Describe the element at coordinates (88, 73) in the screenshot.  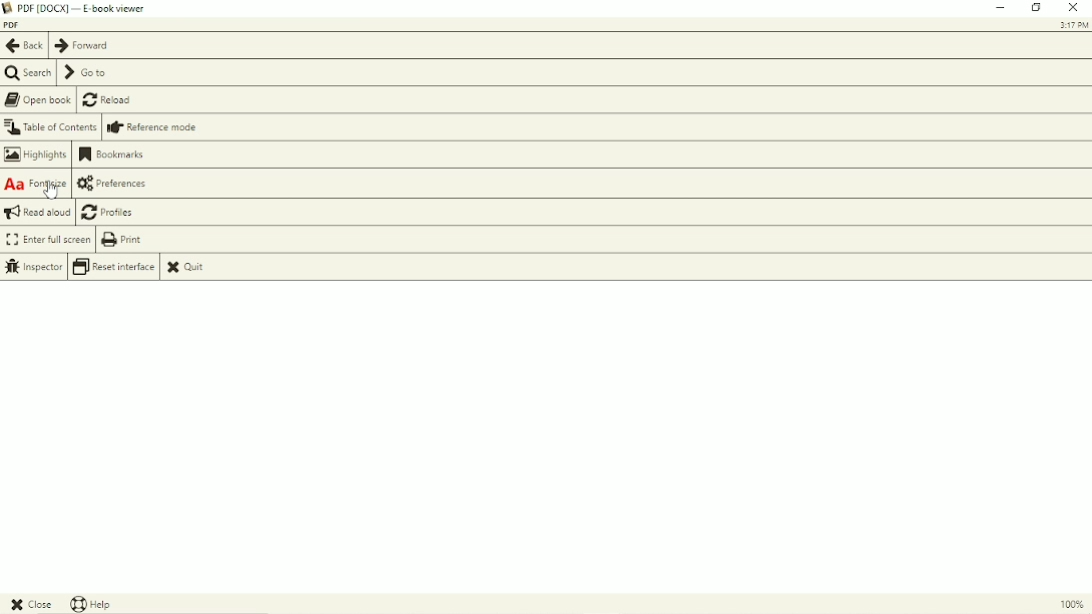
I see `Go to` at that location.